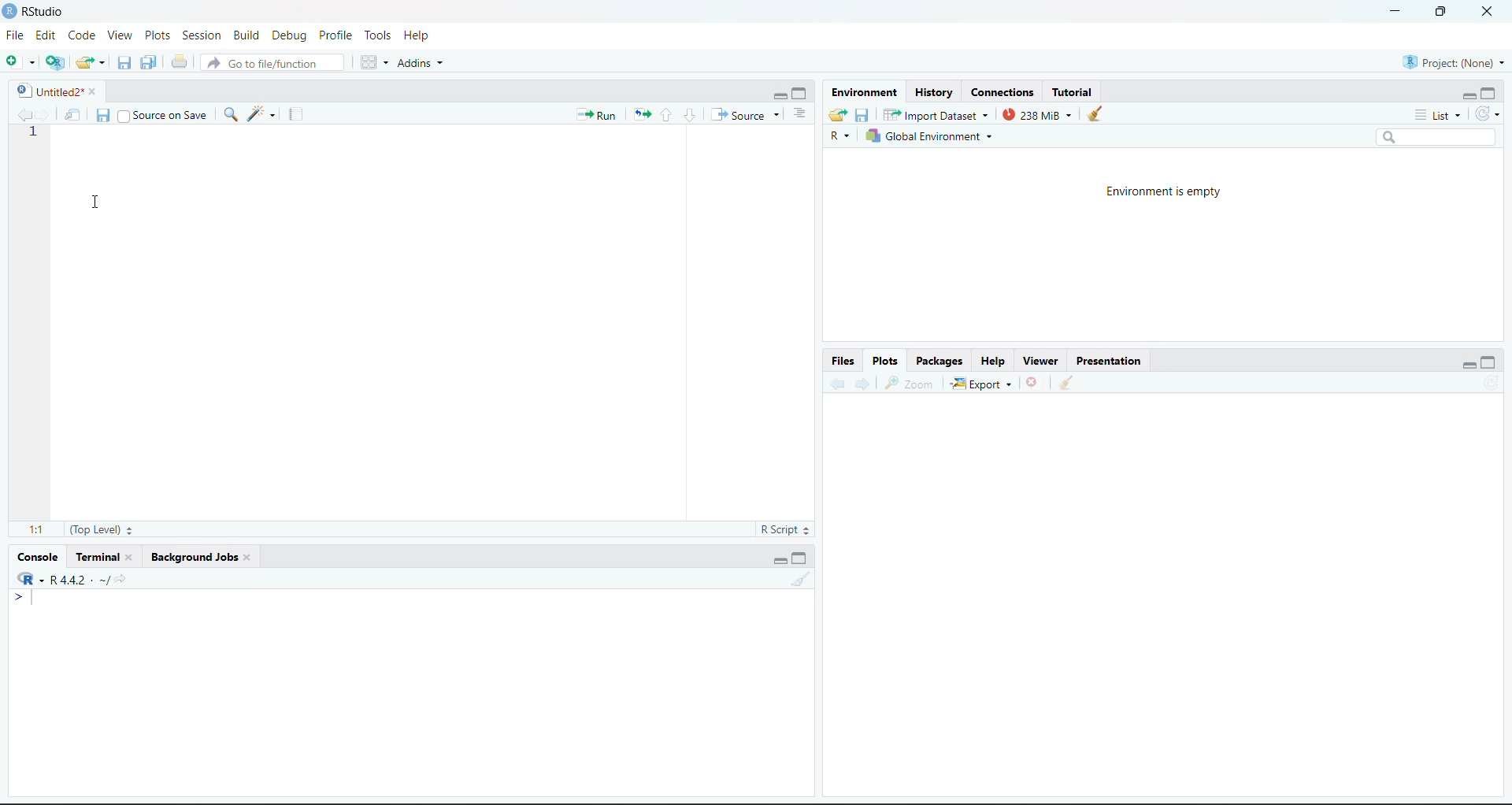  What do you see at coordinates (180, 61) in the screenshot?
I see `print` at bounding box center [180, 61].